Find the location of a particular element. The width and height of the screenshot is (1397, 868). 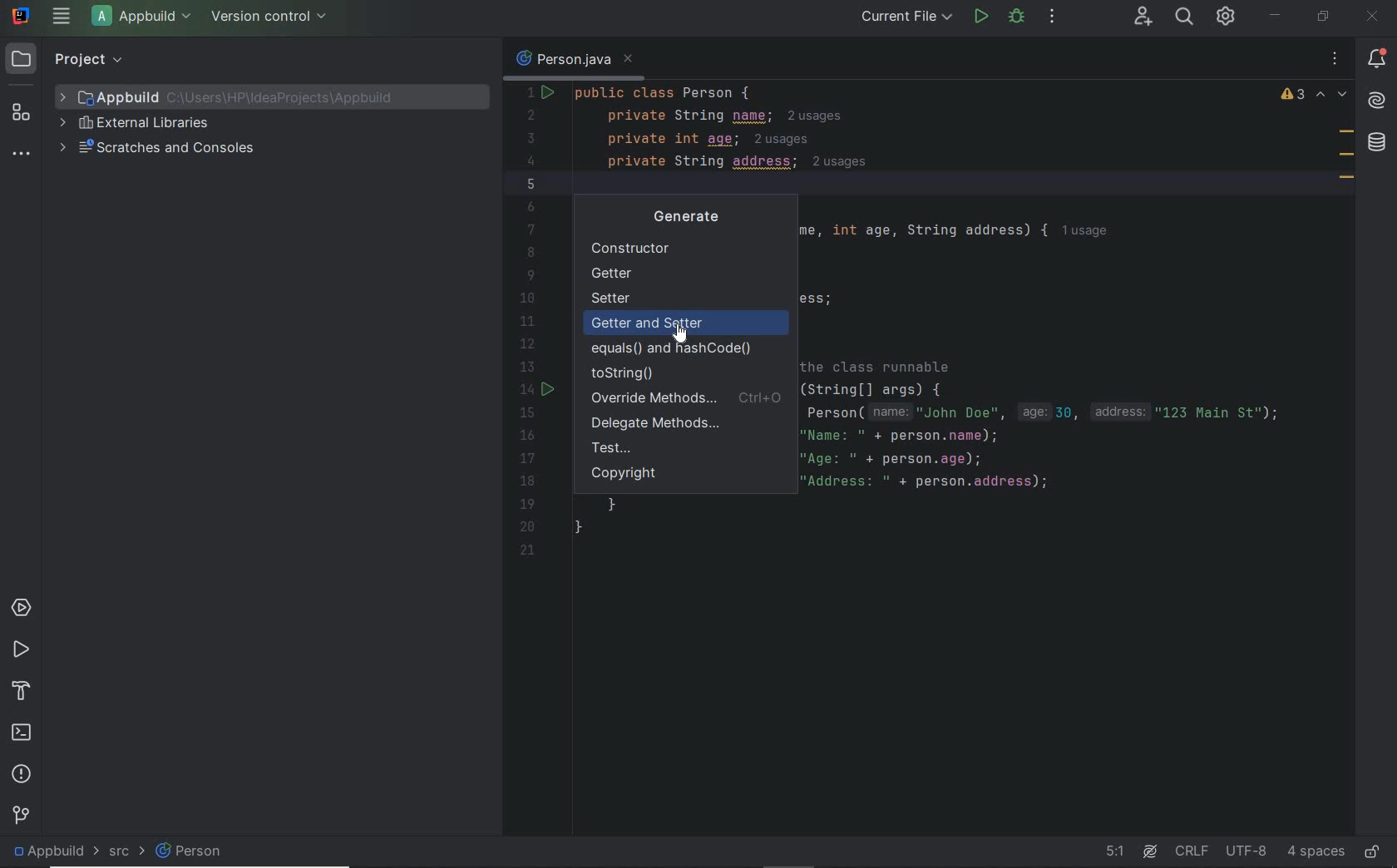

version control is located at coordinates (22, 814).